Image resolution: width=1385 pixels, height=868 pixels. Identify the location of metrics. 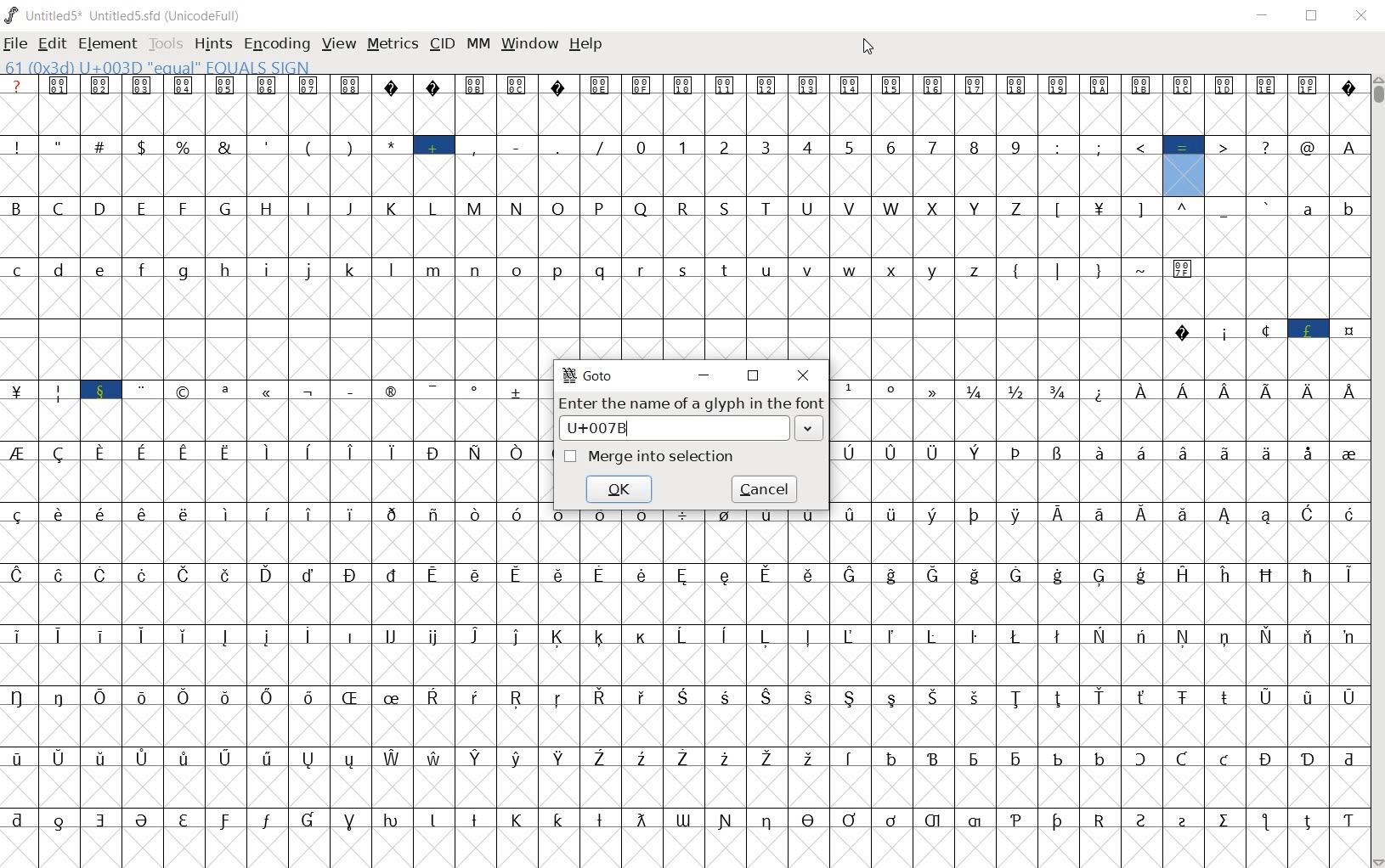
(392, 43).